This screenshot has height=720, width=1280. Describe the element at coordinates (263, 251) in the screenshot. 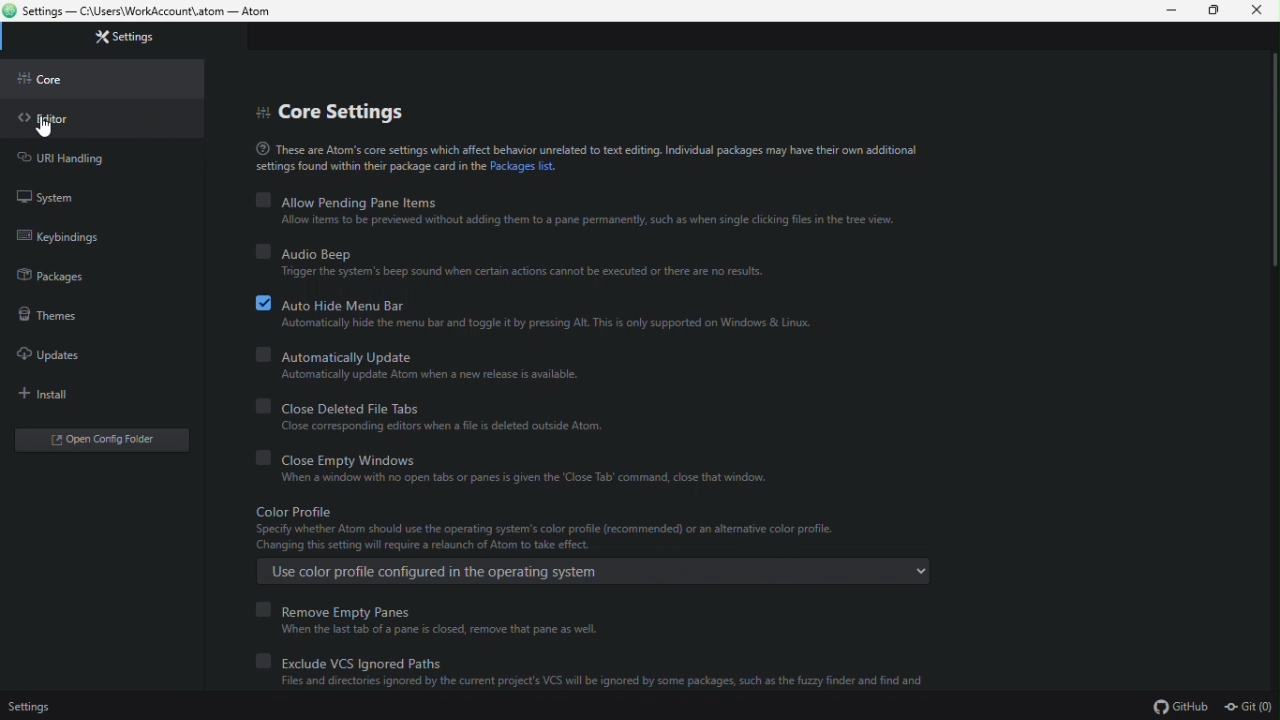

I see `off` at that location.